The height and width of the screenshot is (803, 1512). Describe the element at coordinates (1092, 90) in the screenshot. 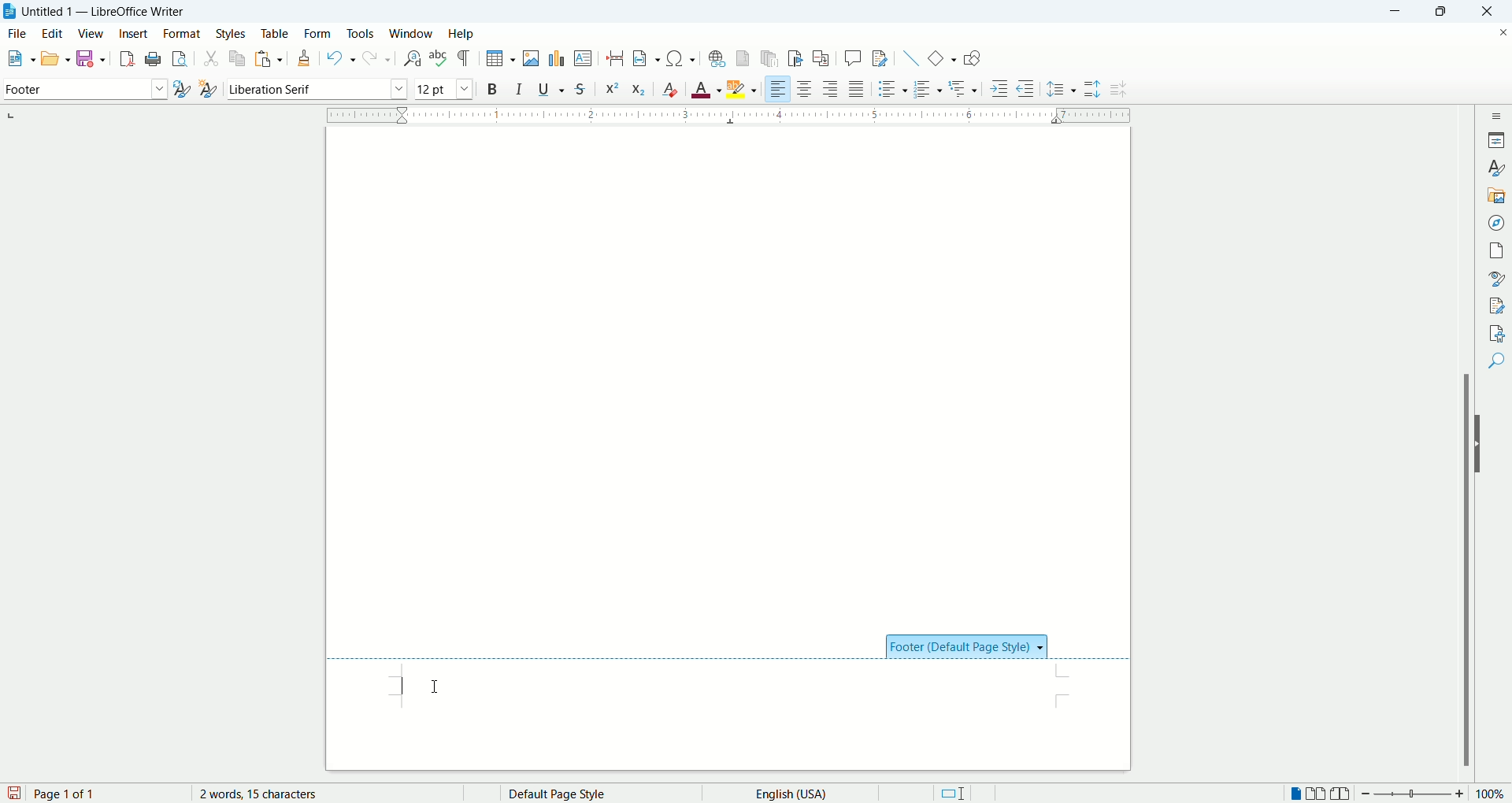

I see `increase paragraph spacing` at that location.